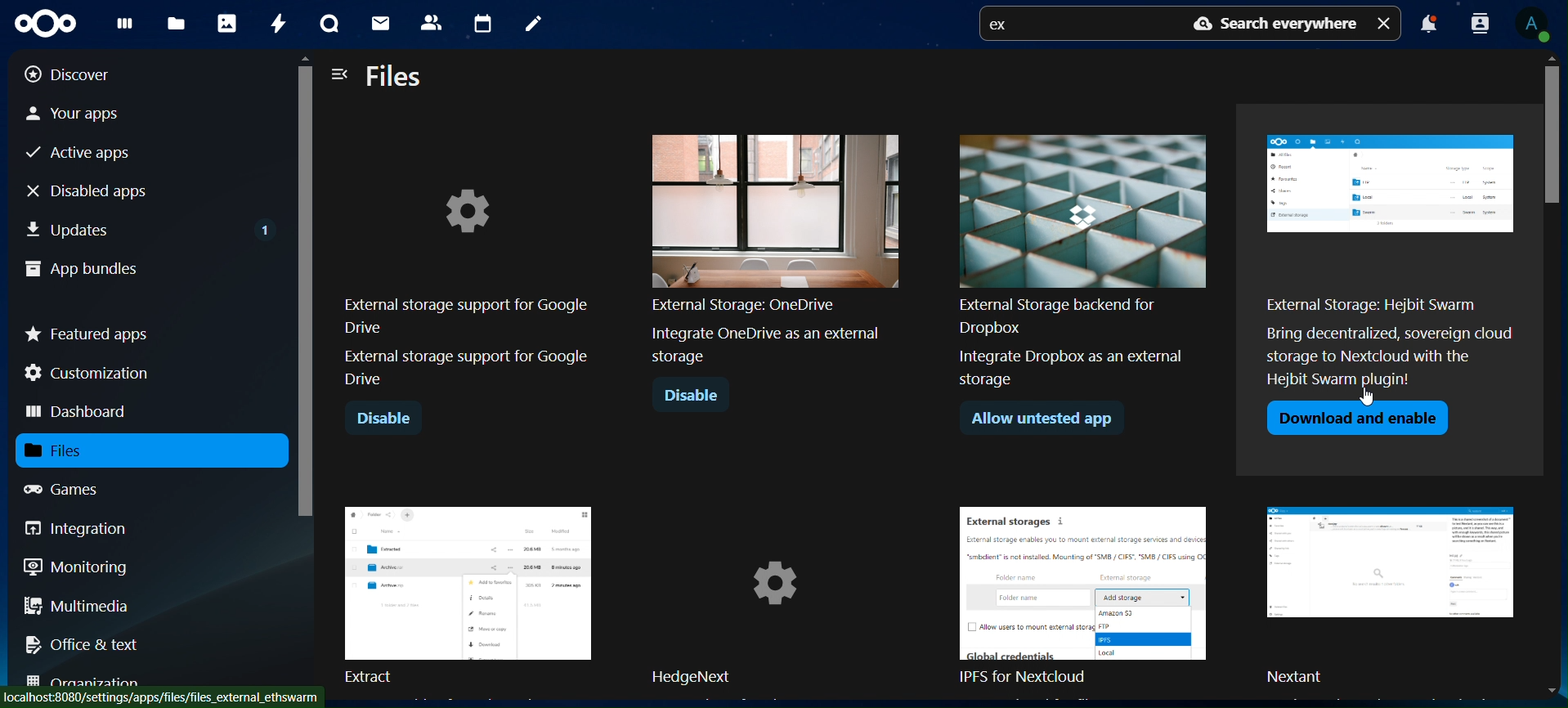 Image resolution: width=1568 pixels, height=708 pixels. Describe the element at coordinates (150, 226) in the screenshot. I see `updates` at that location.